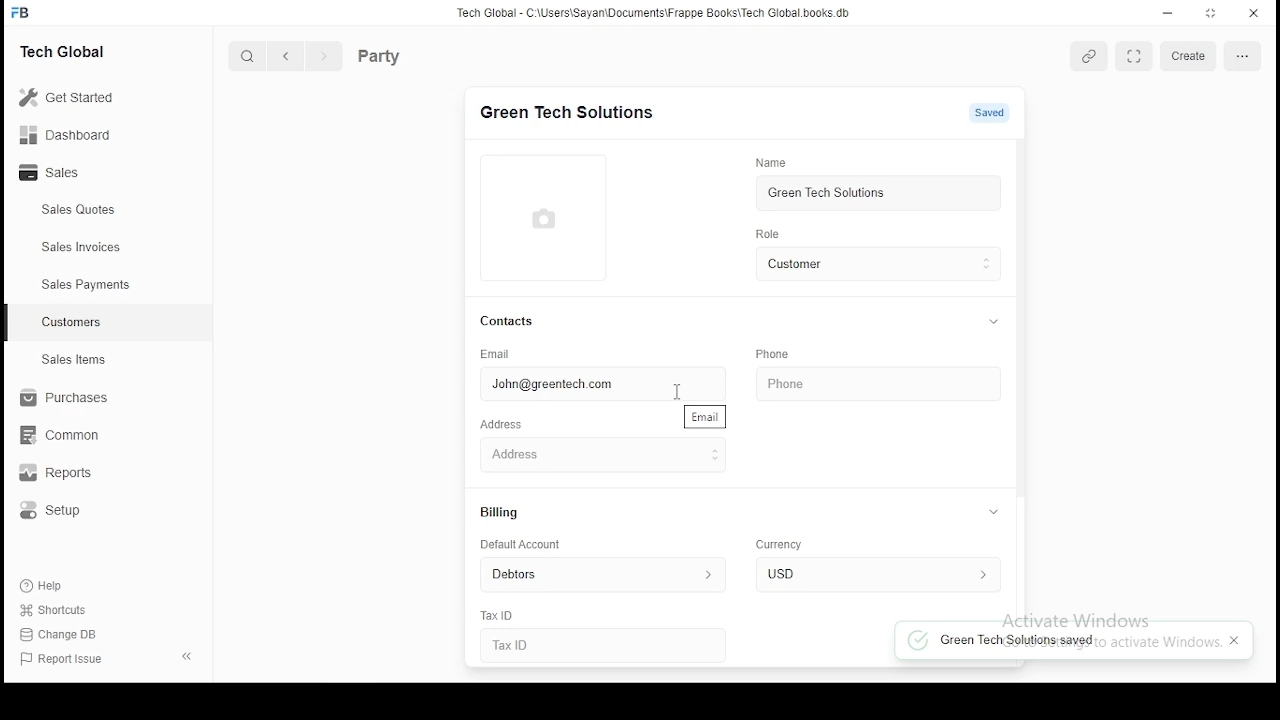 This screenshot has height=720, width=1280. Describe the element at coordinates (998, 322) in the screenshot. I see `collapse` at that location.